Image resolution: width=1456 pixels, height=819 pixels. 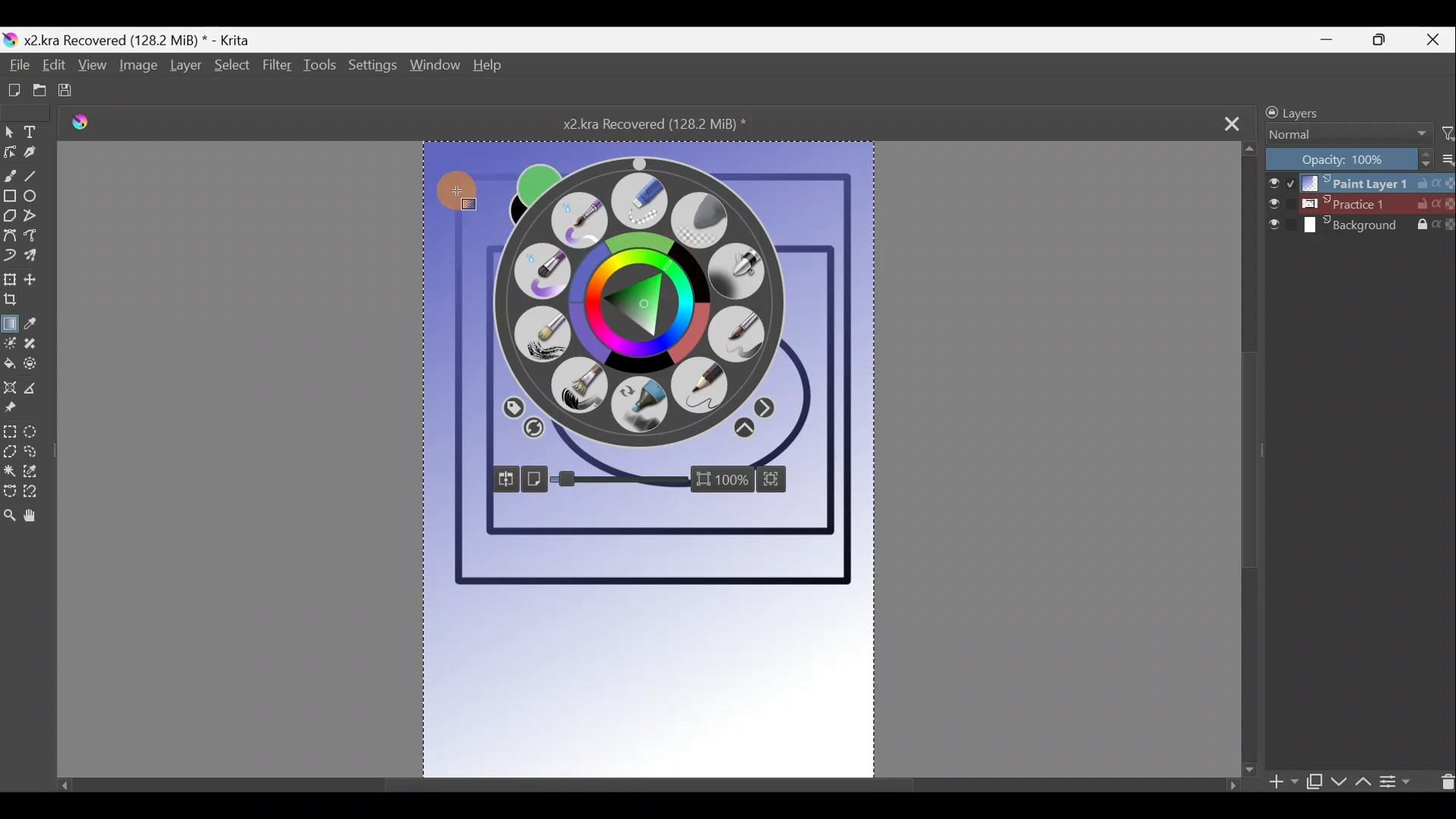 I want to click on Rectangular selection tool, so click(x=9, y=434).